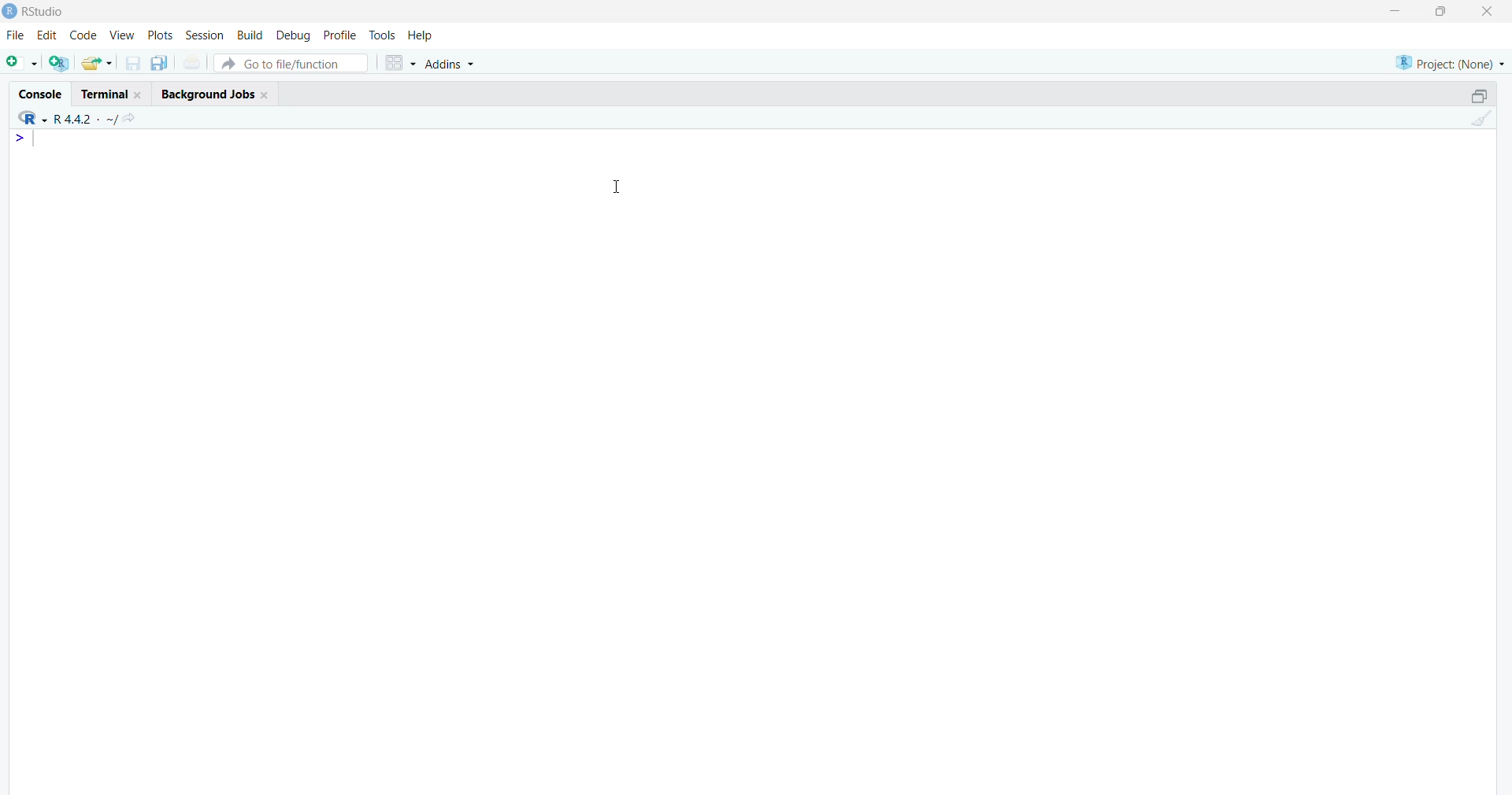 This screenshot has width=1512, height=795. I want to click on create a project, so click(58, 63).